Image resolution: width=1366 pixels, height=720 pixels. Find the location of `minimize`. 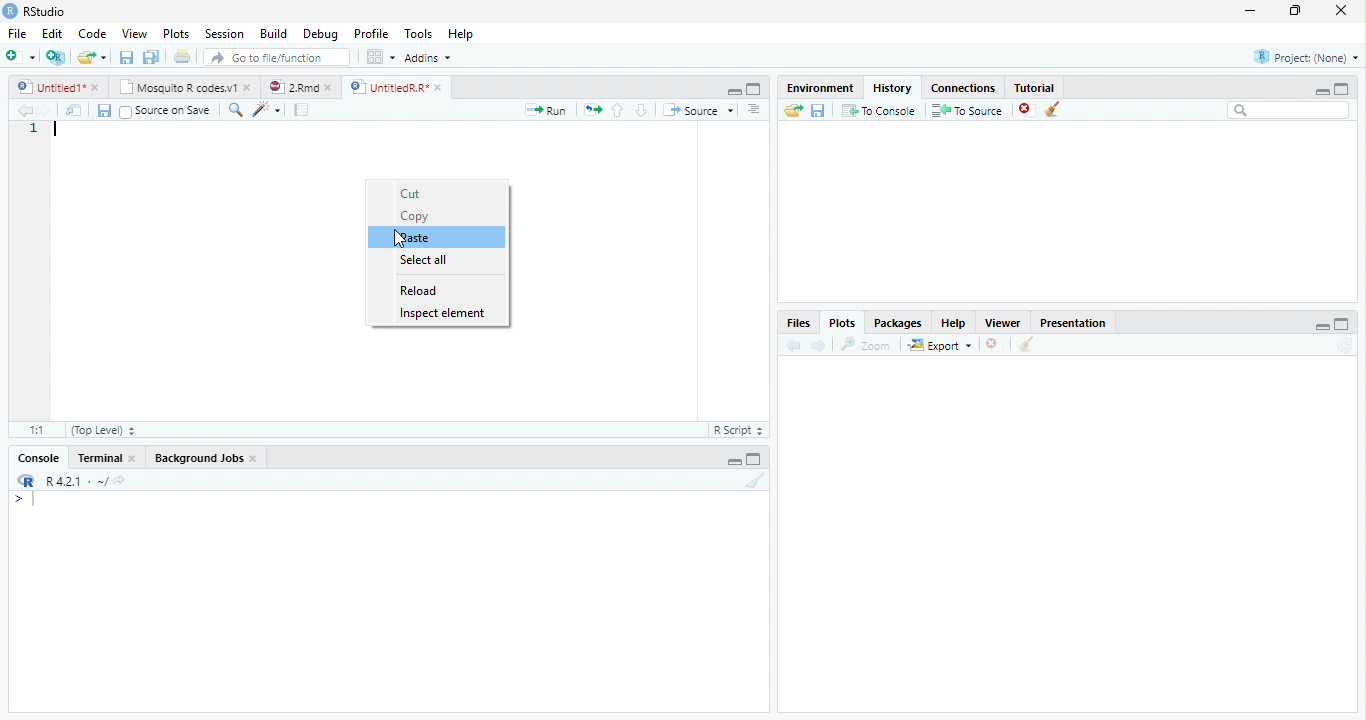

minimize is located at coordinates (734, 462).